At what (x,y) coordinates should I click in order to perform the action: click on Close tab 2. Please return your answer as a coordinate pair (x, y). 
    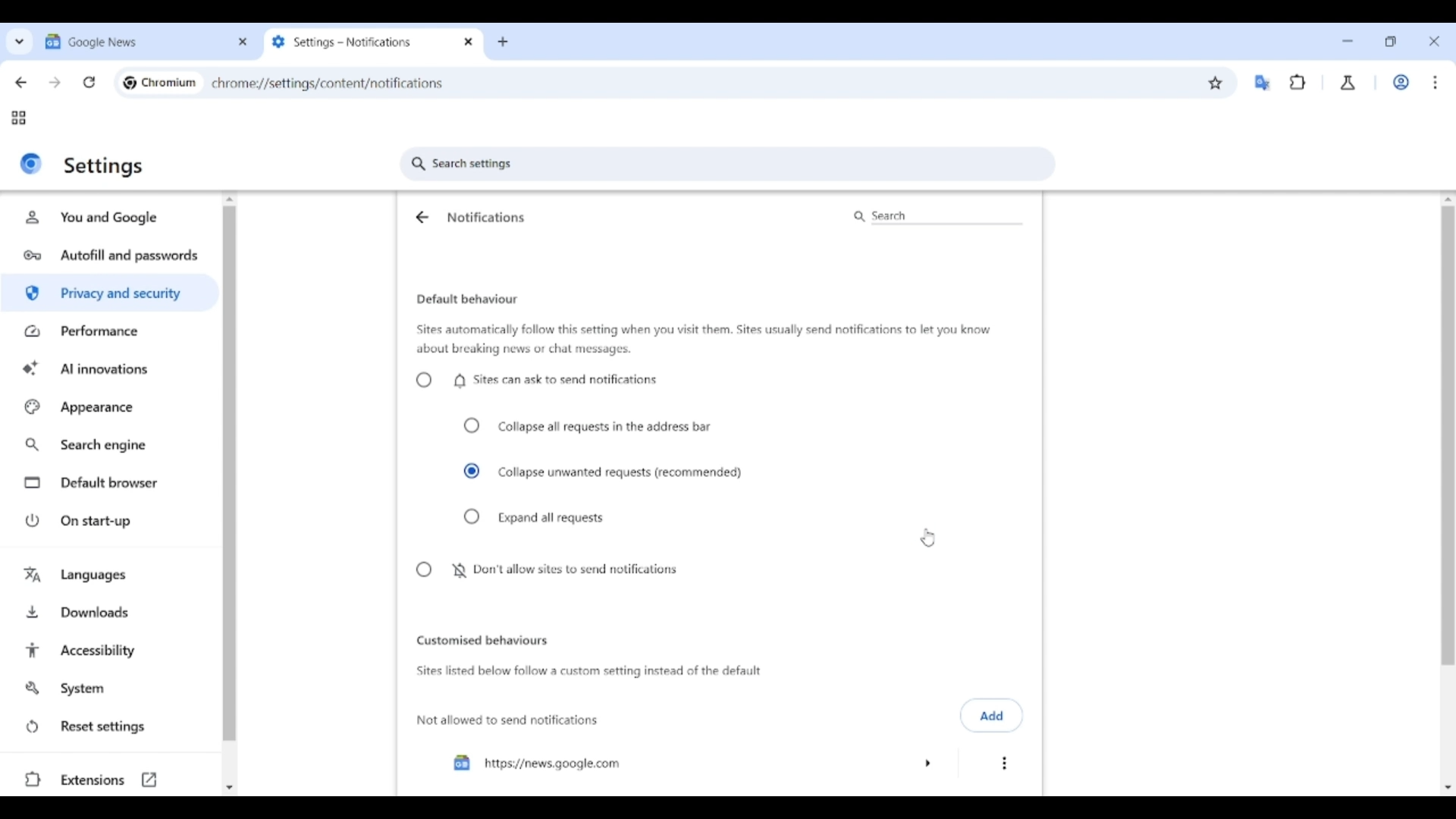
    Looking at the image, I should click on (469, 42).